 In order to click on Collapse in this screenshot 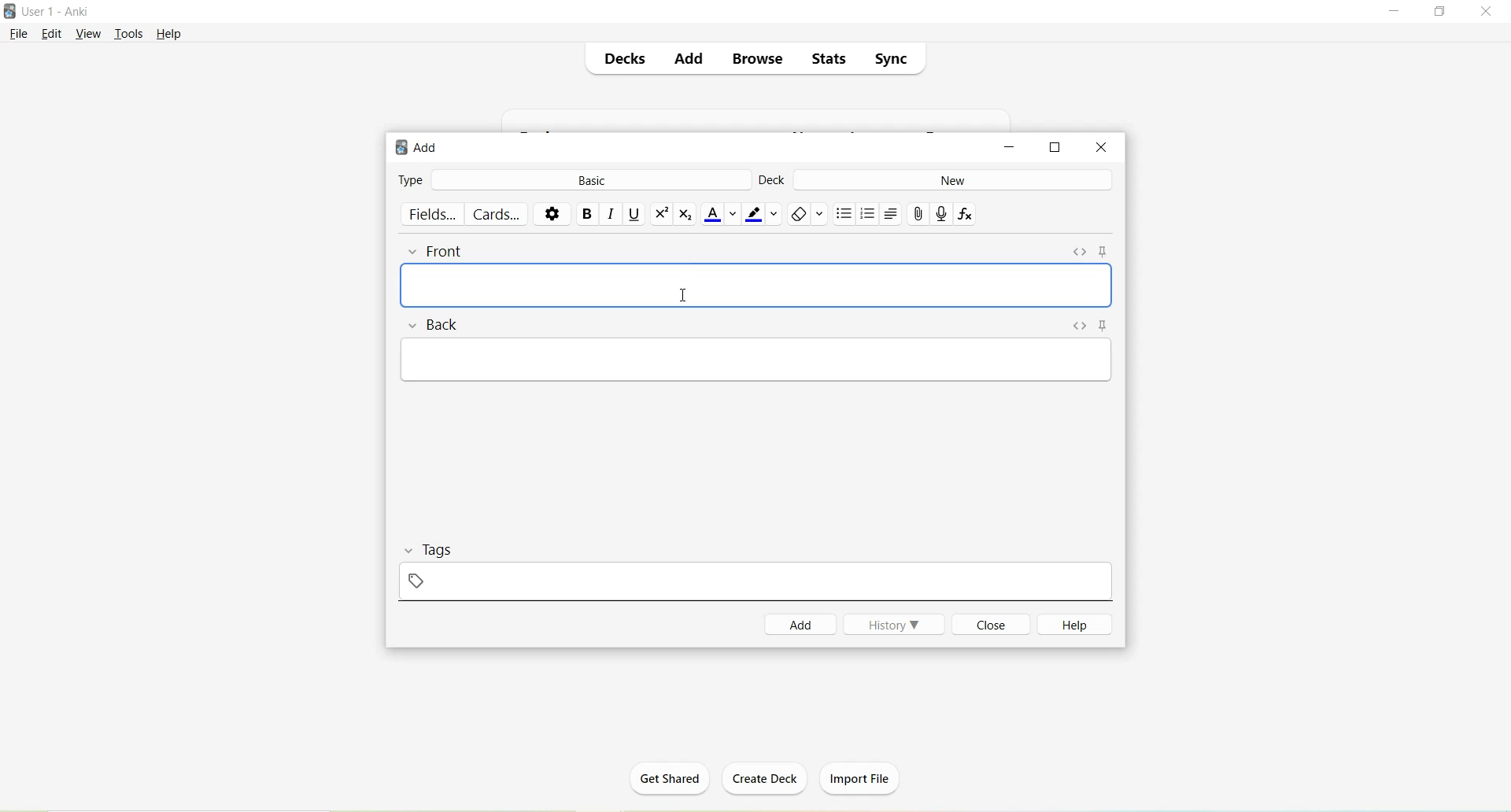, I will do `click(411, 551)`.